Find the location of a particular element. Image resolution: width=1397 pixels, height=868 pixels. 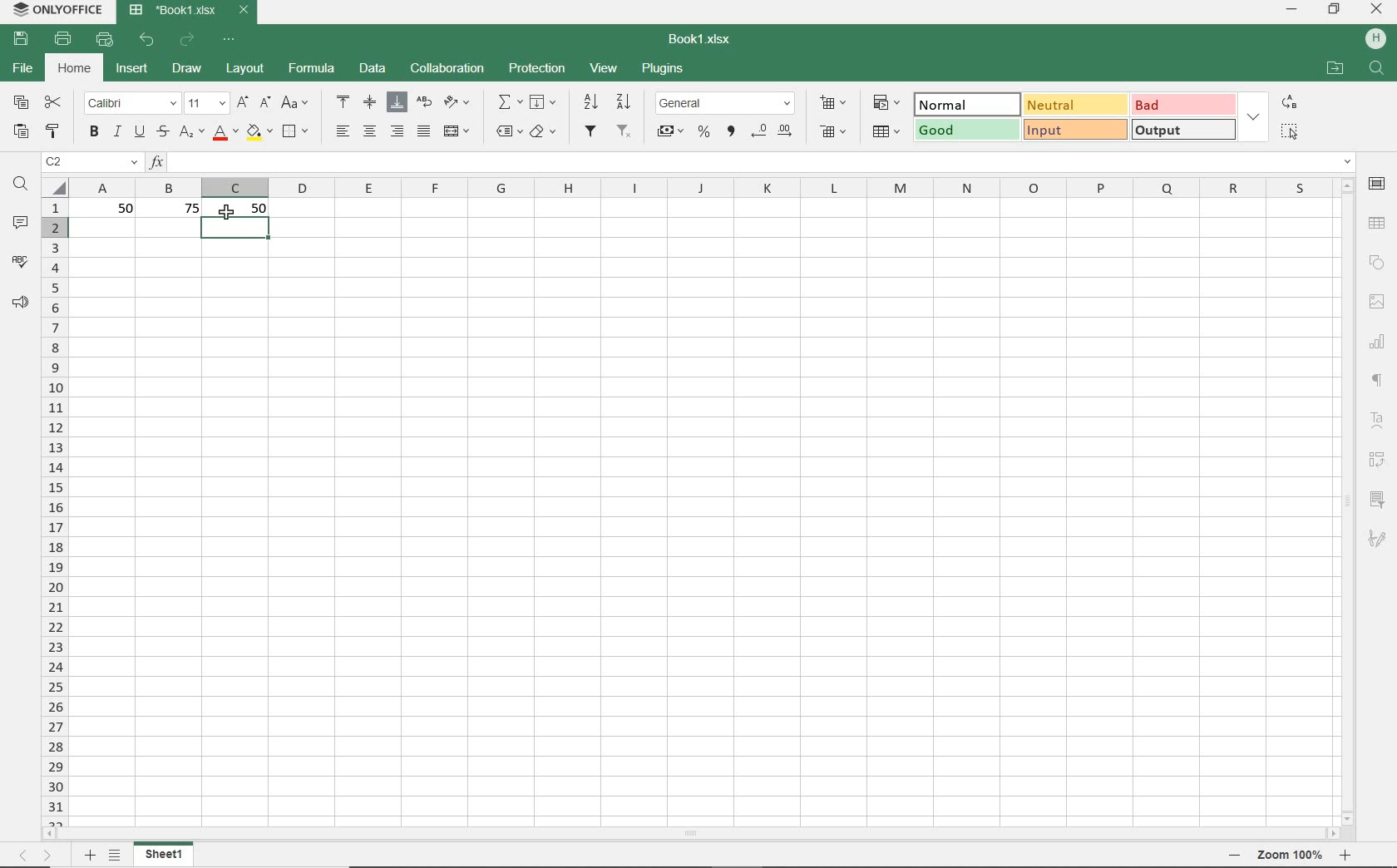

copy style is located at coordinates (54, 132).